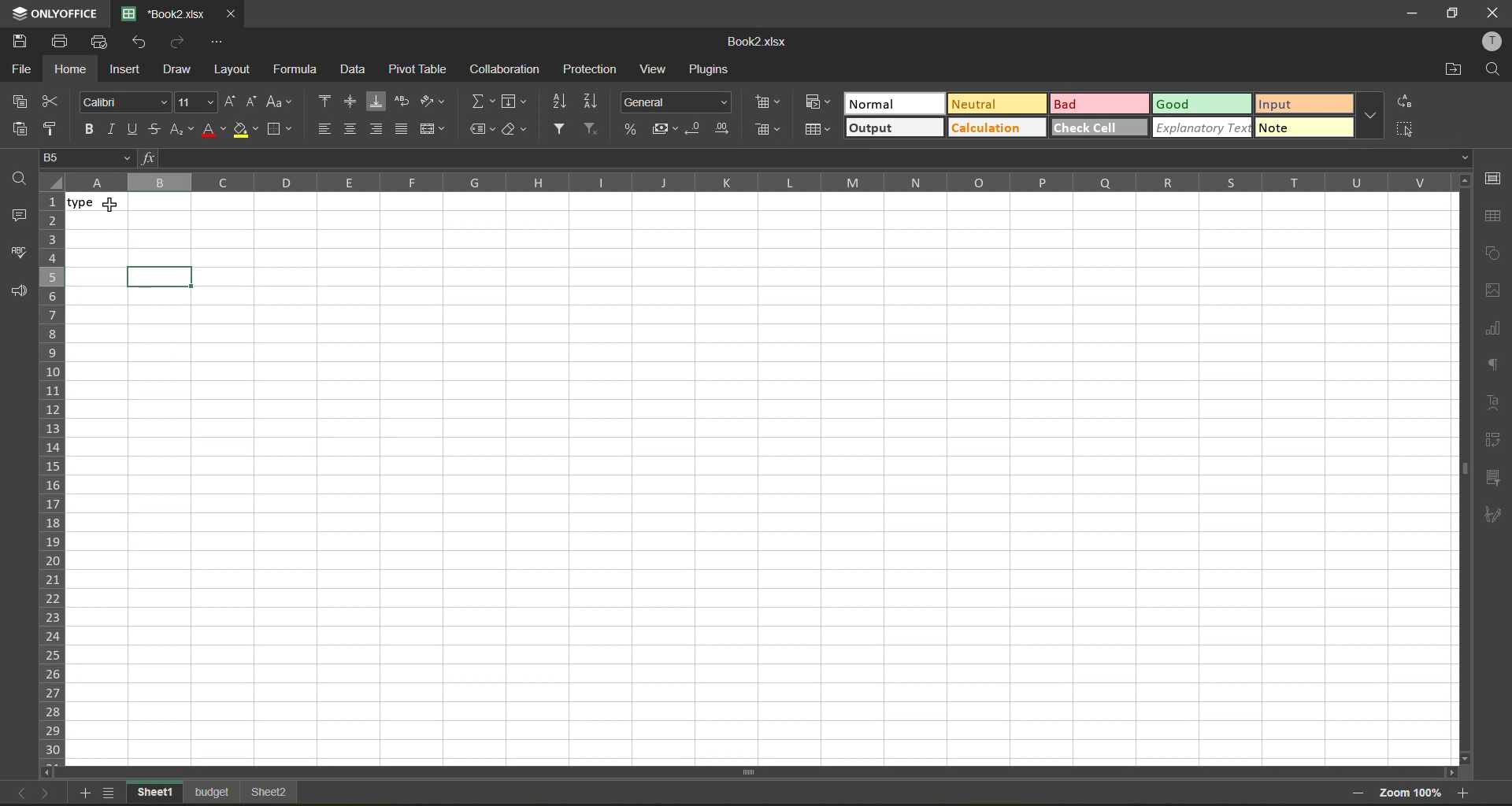  What do you see at coordinates (561, 102) in the screenshot?
I see `sort ascending` at bounding box center [561, 102].